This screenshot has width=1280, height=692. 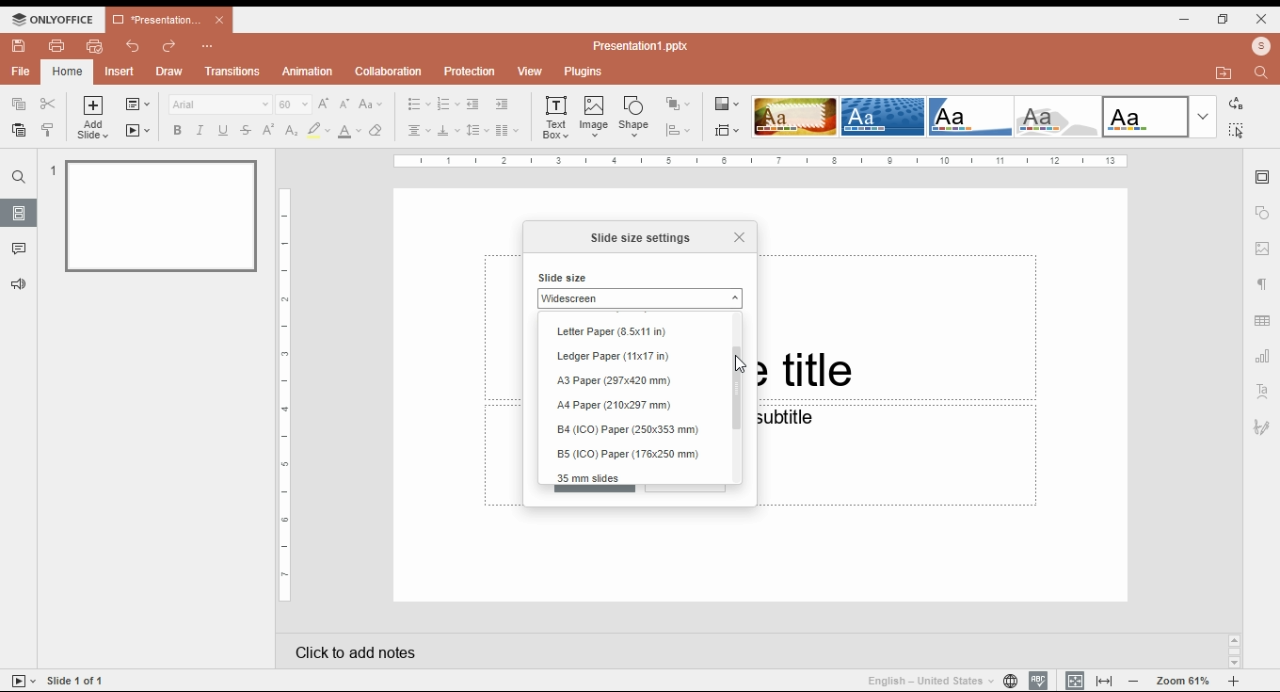 What do you see at coordinates (269, 129) in the screenshot?
I see `superscript` at bounding box center [269, 129].